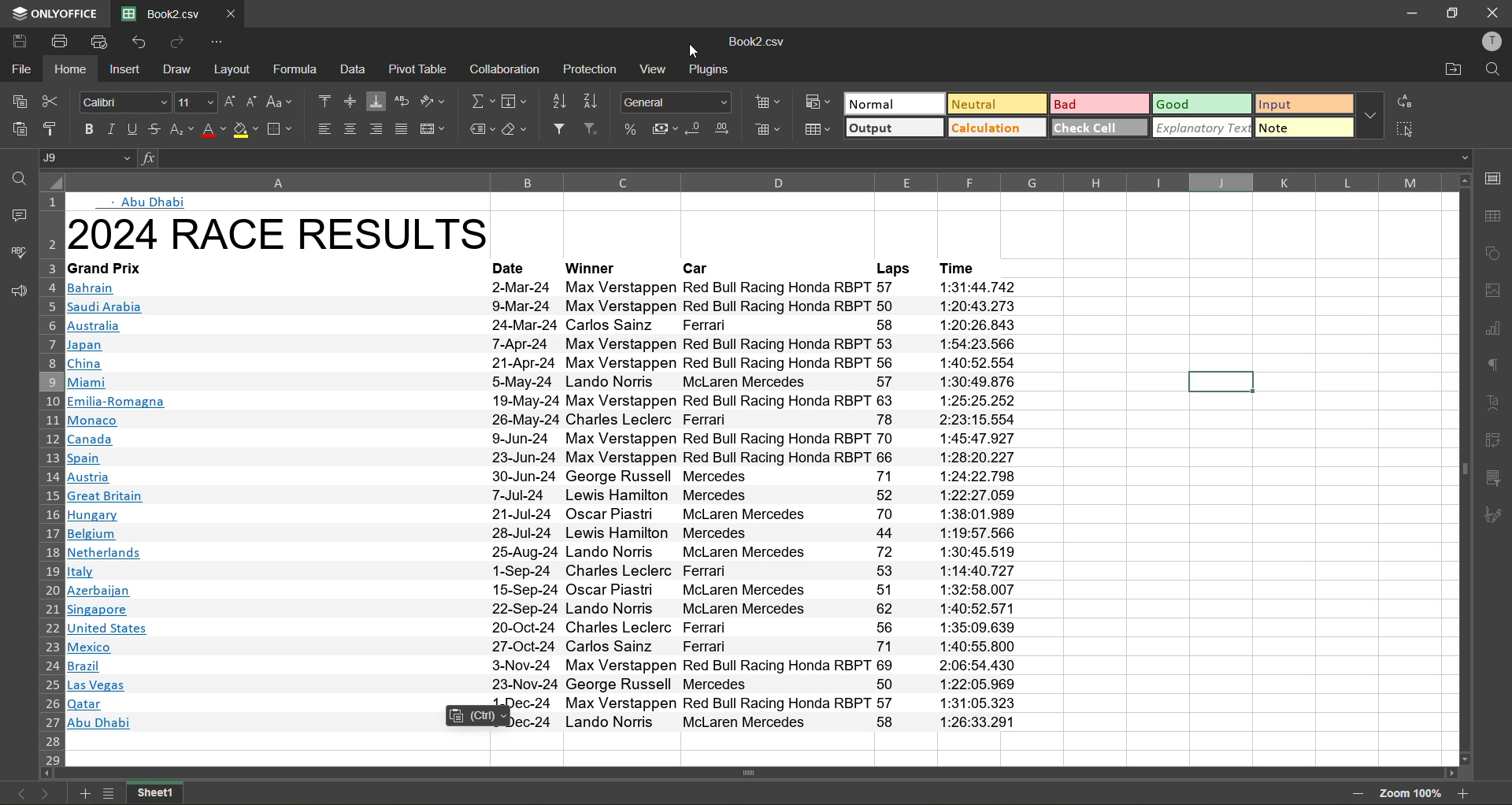  What do you see at coordinates (1495, 180) in the screenshot?
I see `call settings` at bounding box center [1495, 180].